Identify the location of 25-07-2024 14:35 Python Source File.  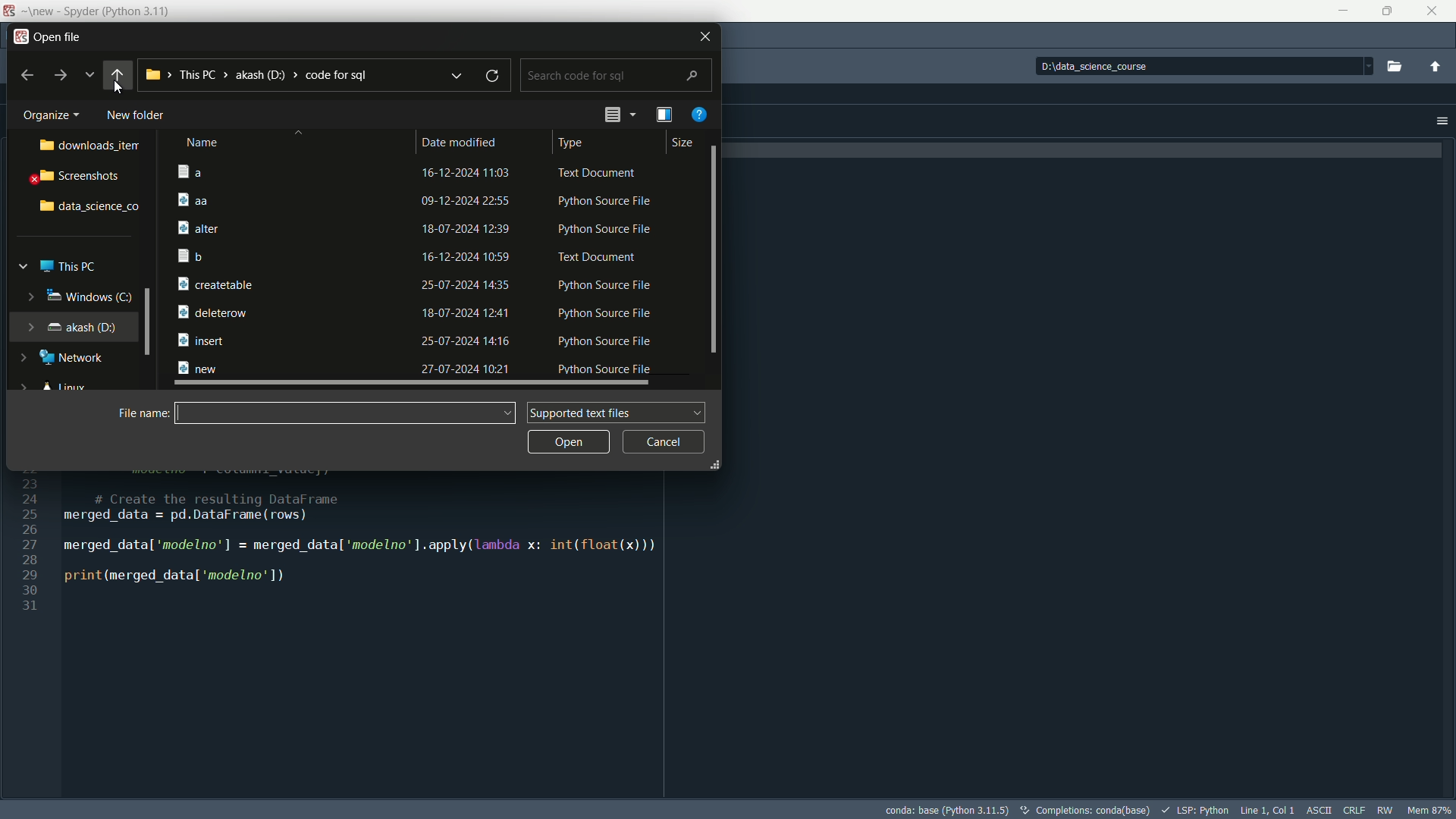
(543, 284).